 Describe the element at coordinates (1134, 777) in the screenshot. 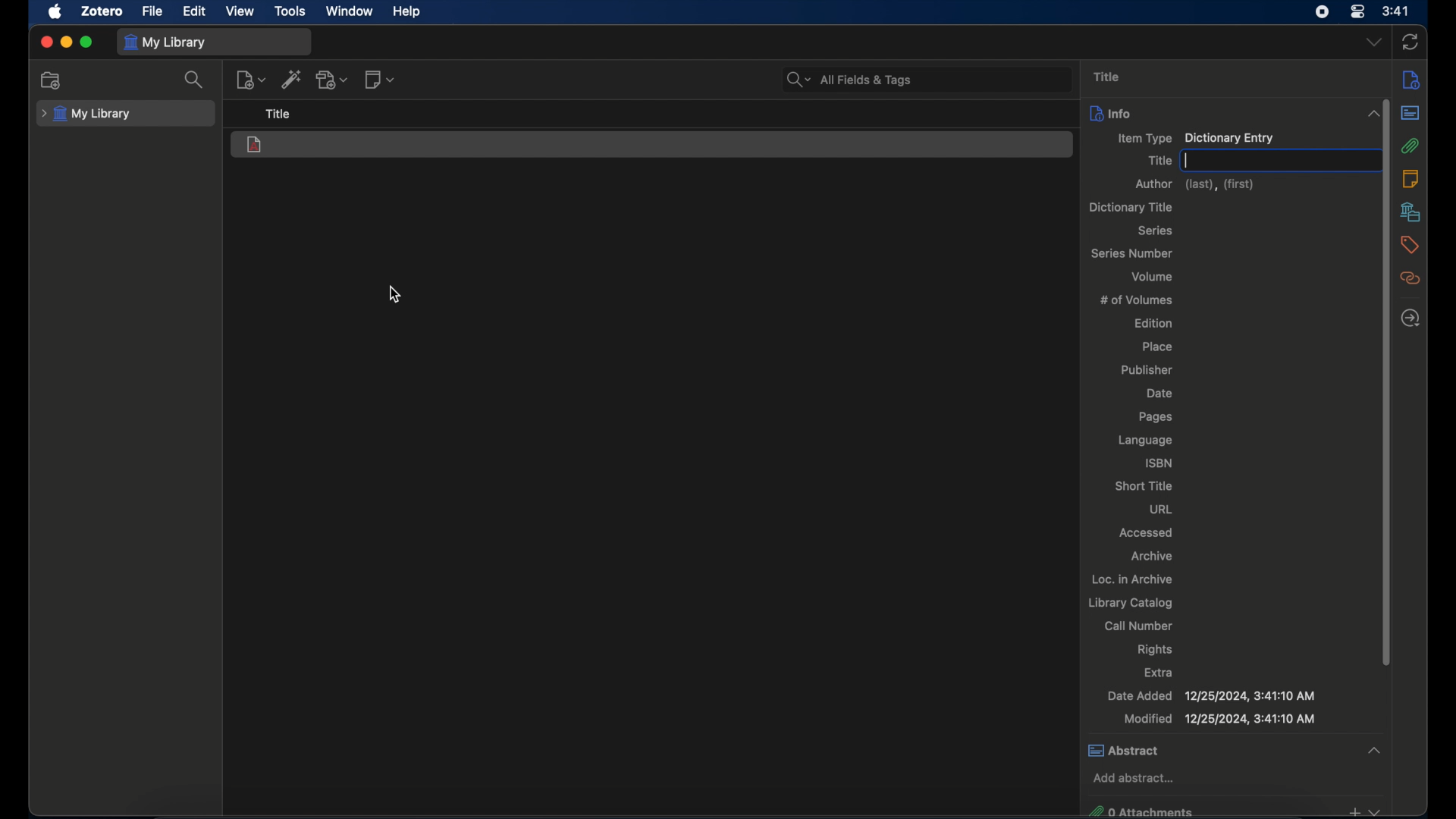

I see `add abstract` at that location.